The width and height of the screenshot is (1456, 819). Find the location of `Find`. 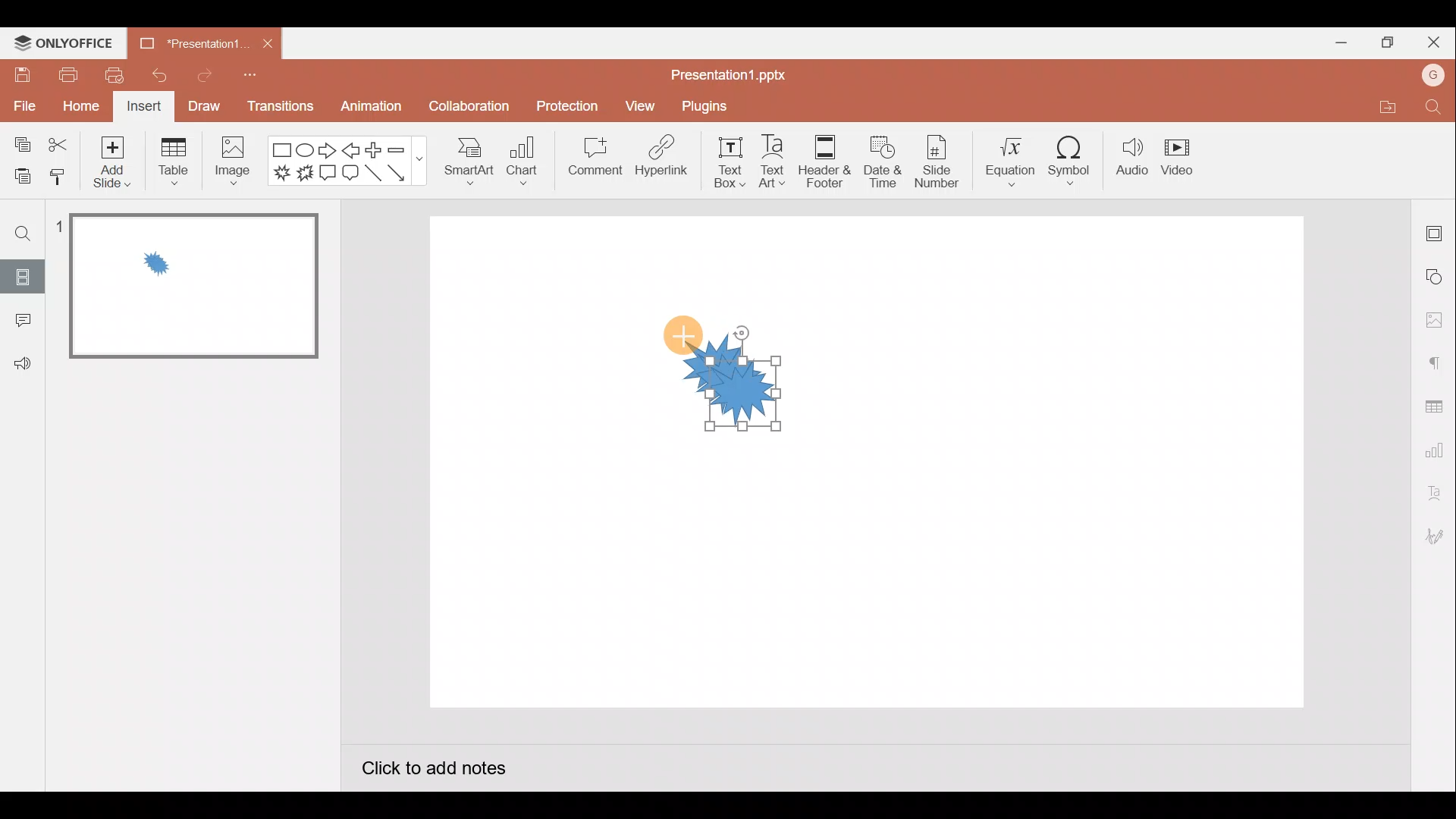

Find is located at coordinates (1438, 108).